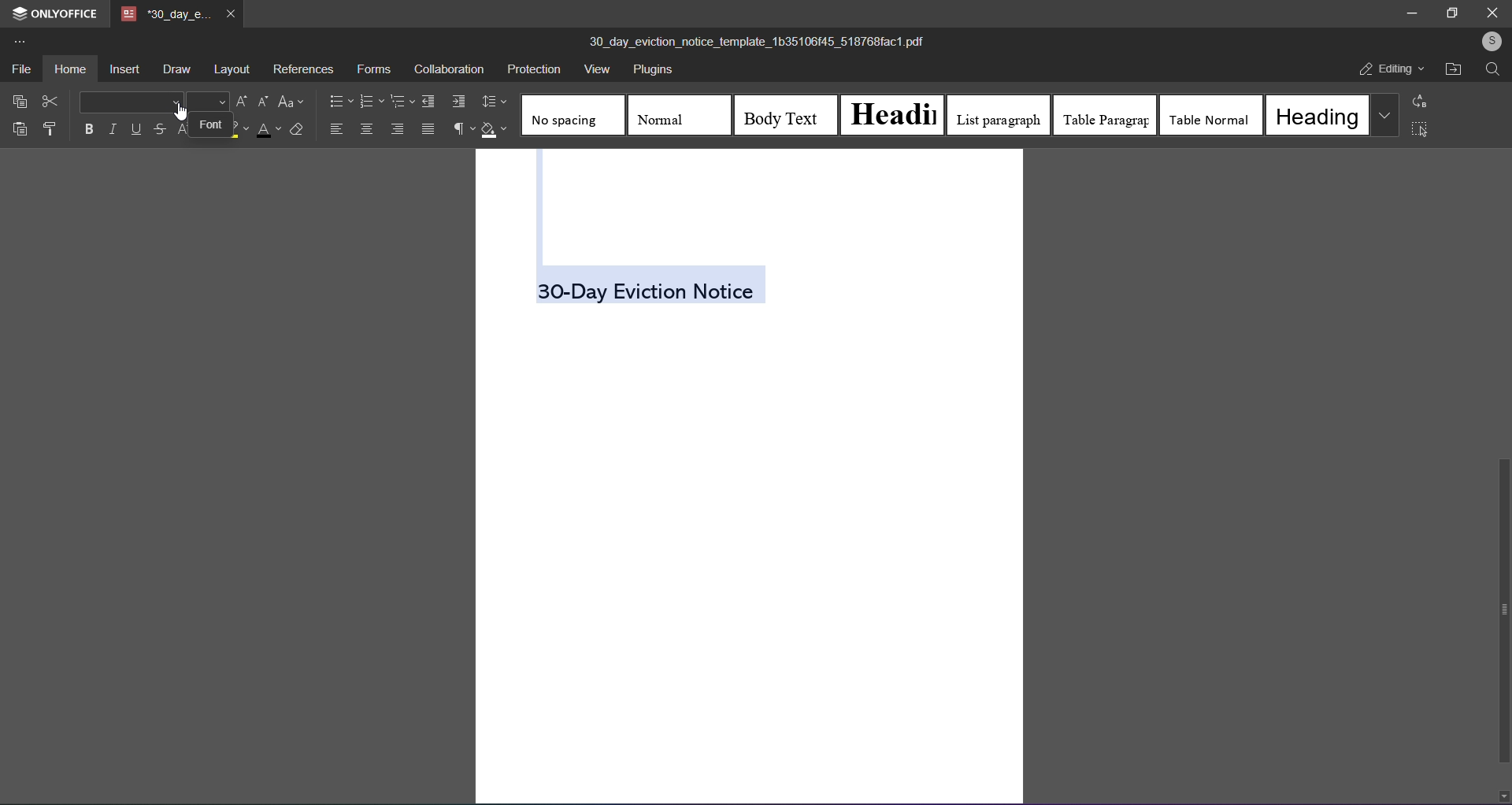 Image resolution: width=1512 pixels, height=805 pixels. I want to click on shading, so click(496, 131).